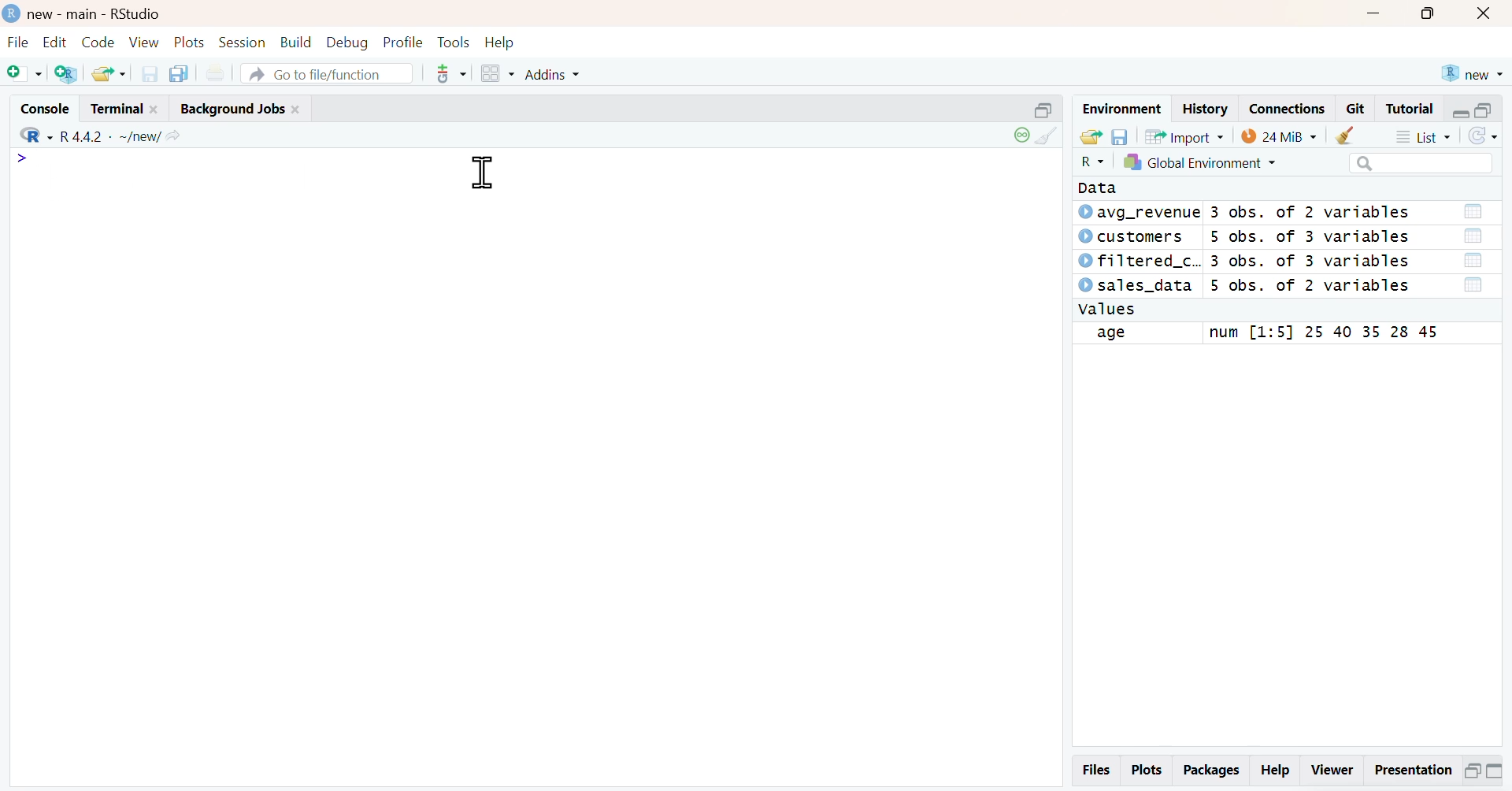  I want to click on Minimize pane, so click(1472, 774).